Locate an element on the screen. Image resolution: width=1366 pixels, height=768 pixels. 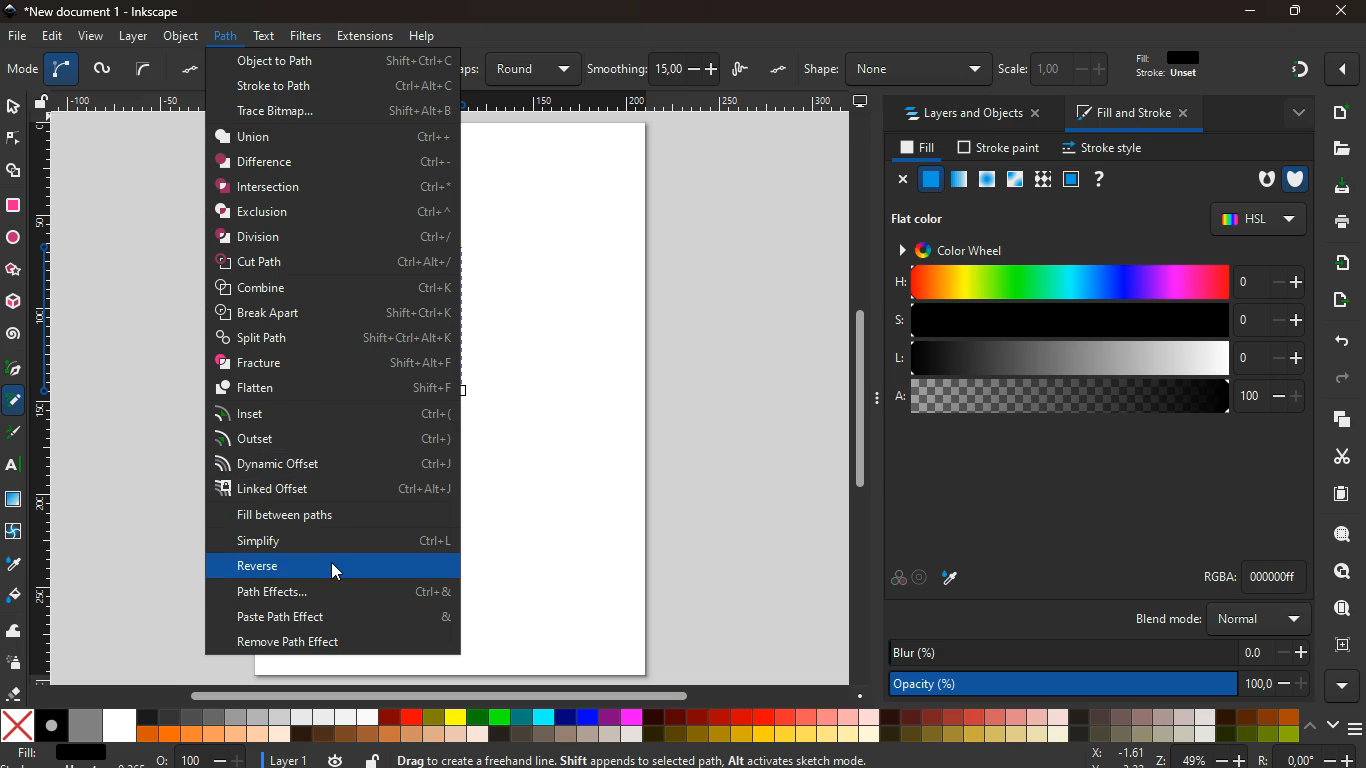
stroke to path is located at coordinates (344, 84).